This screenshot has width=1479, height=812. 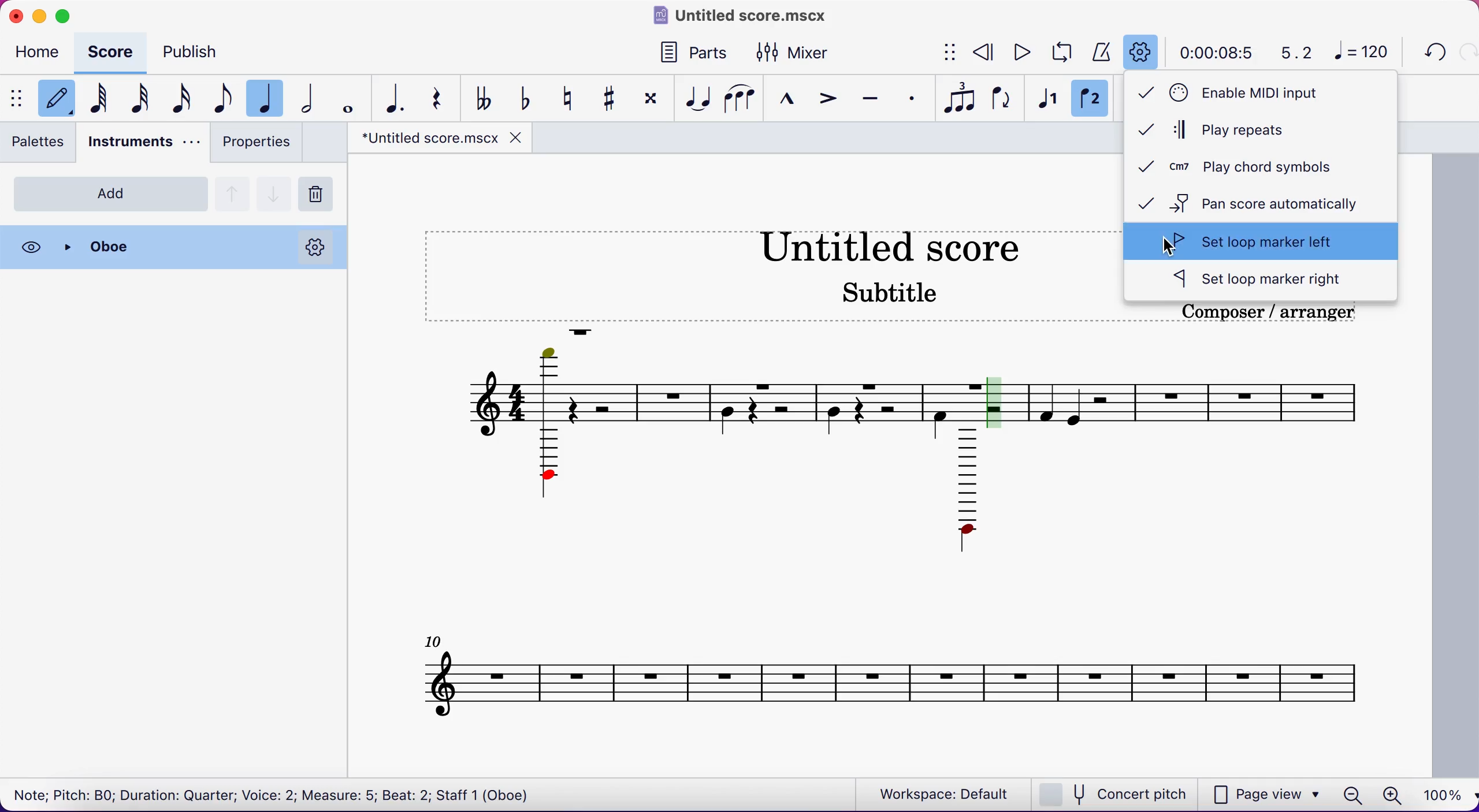 What do you see at coordinates (952, 53) in the screenshot?
I see `expand/hide` at bounding box center [952, 53].